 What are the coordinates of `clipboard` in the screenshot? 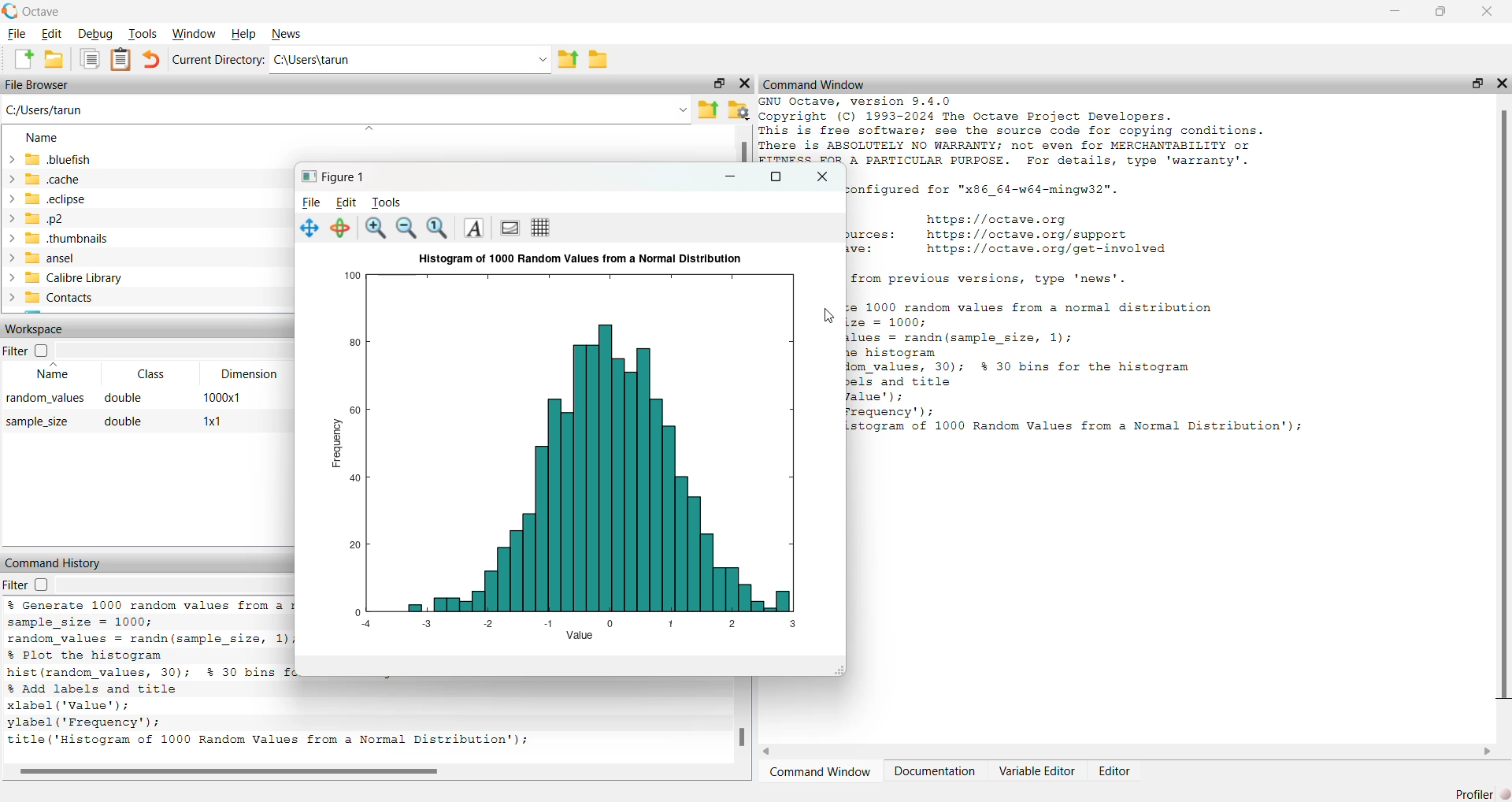 It's located at (121, 58).